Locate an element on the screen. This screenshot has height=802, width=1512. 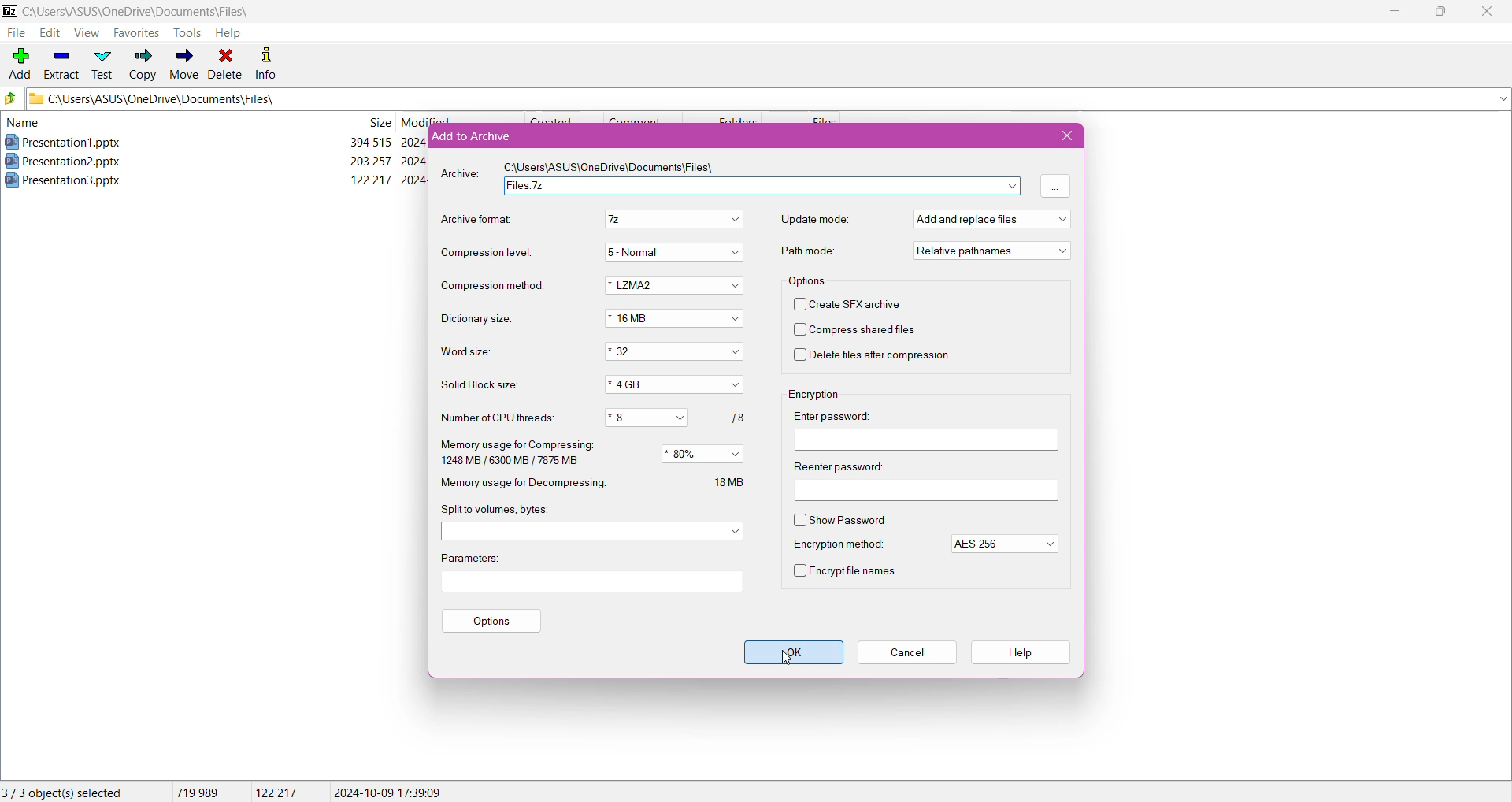
*80% is located at coordinates (702, 454).